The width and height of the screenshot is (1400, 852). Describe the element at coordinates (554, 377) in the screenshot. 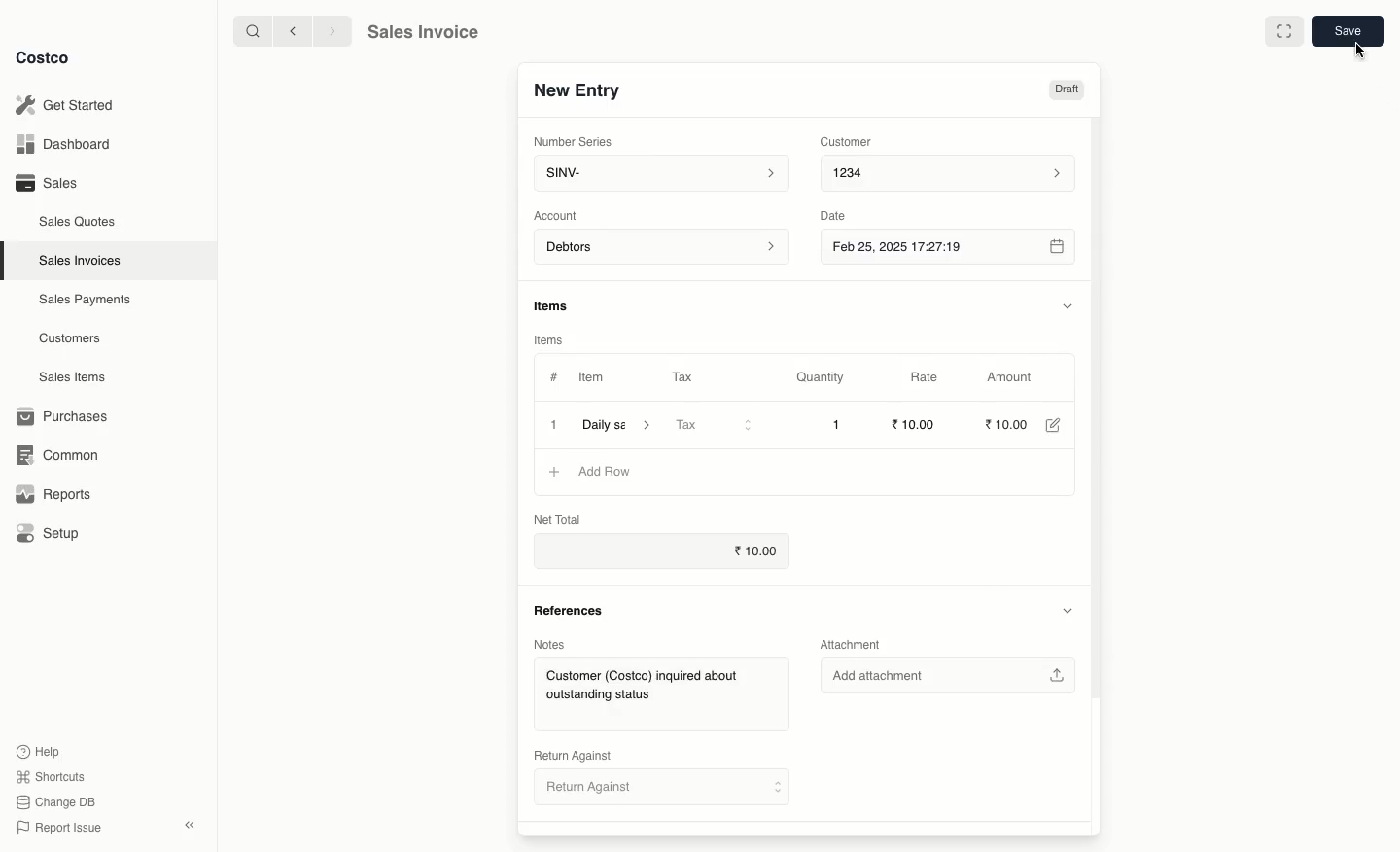

I see `#` at that location.